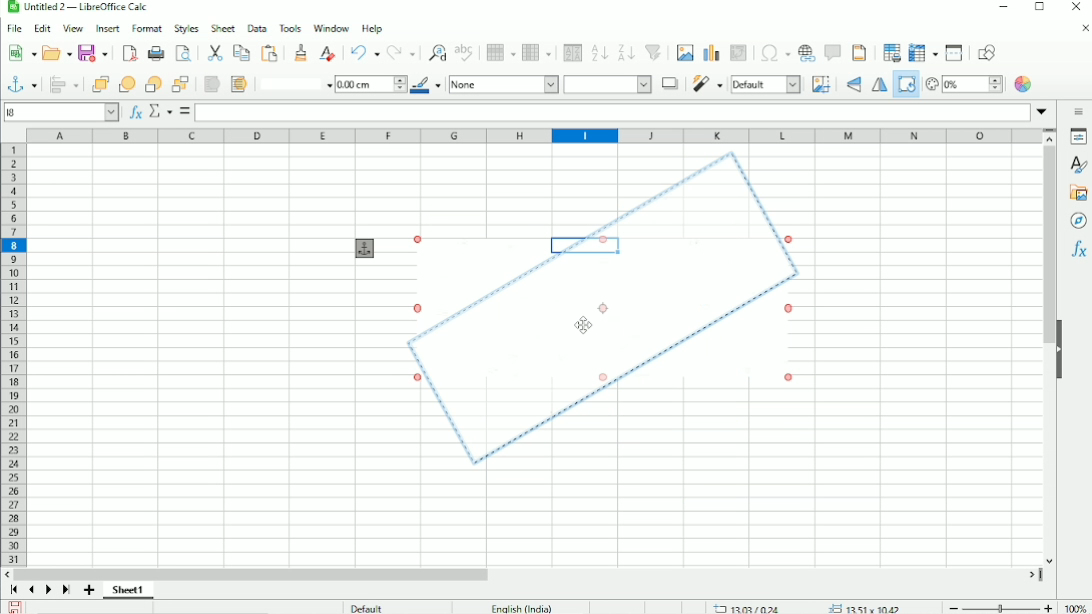  I want to click on To foreground, so click(212, 84).